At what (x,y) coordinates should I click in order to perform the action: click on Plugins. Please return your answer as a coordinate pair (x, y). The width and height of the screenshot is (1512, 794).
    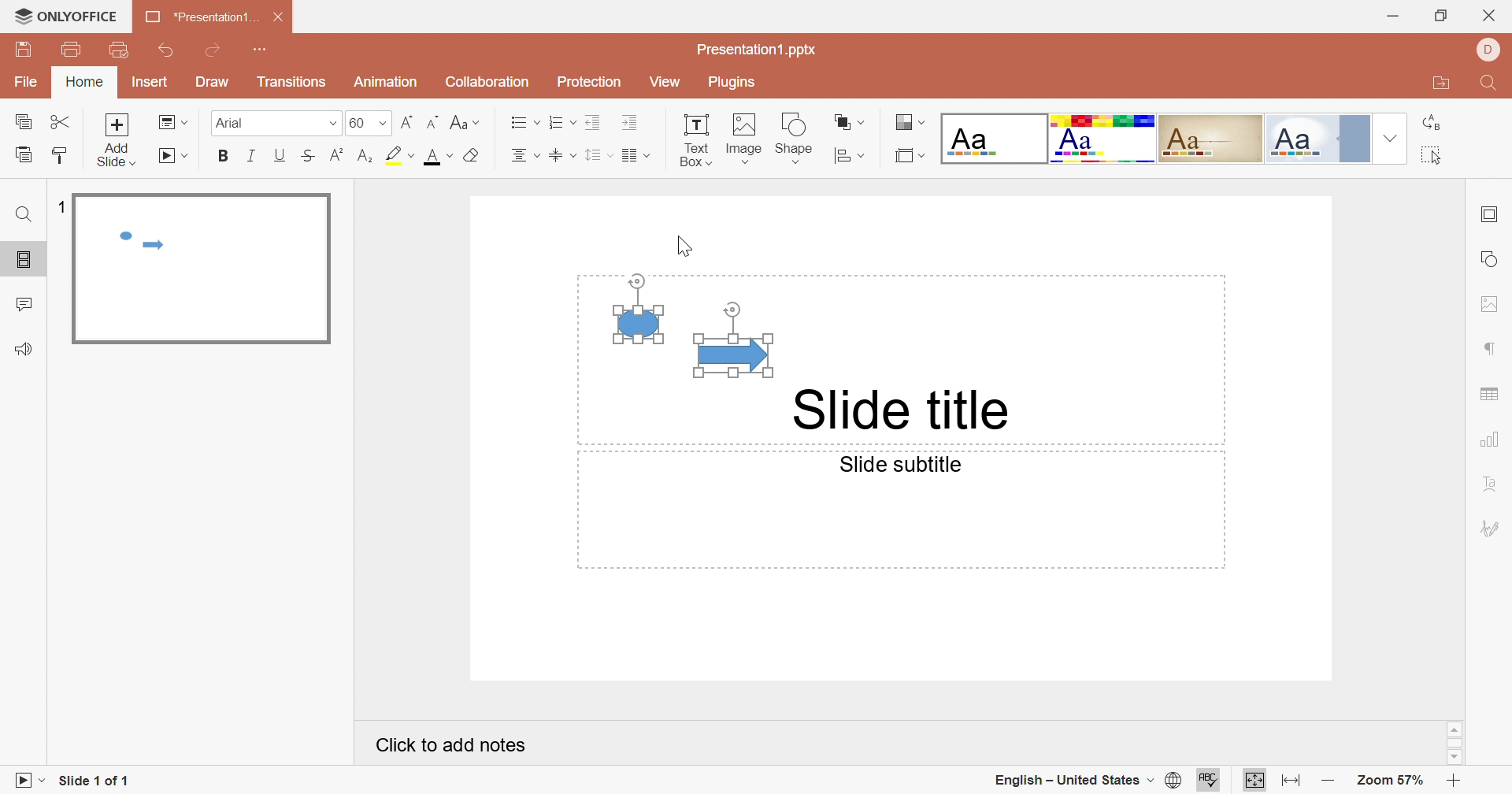
    Looking at the image, I should click on (734, 84).